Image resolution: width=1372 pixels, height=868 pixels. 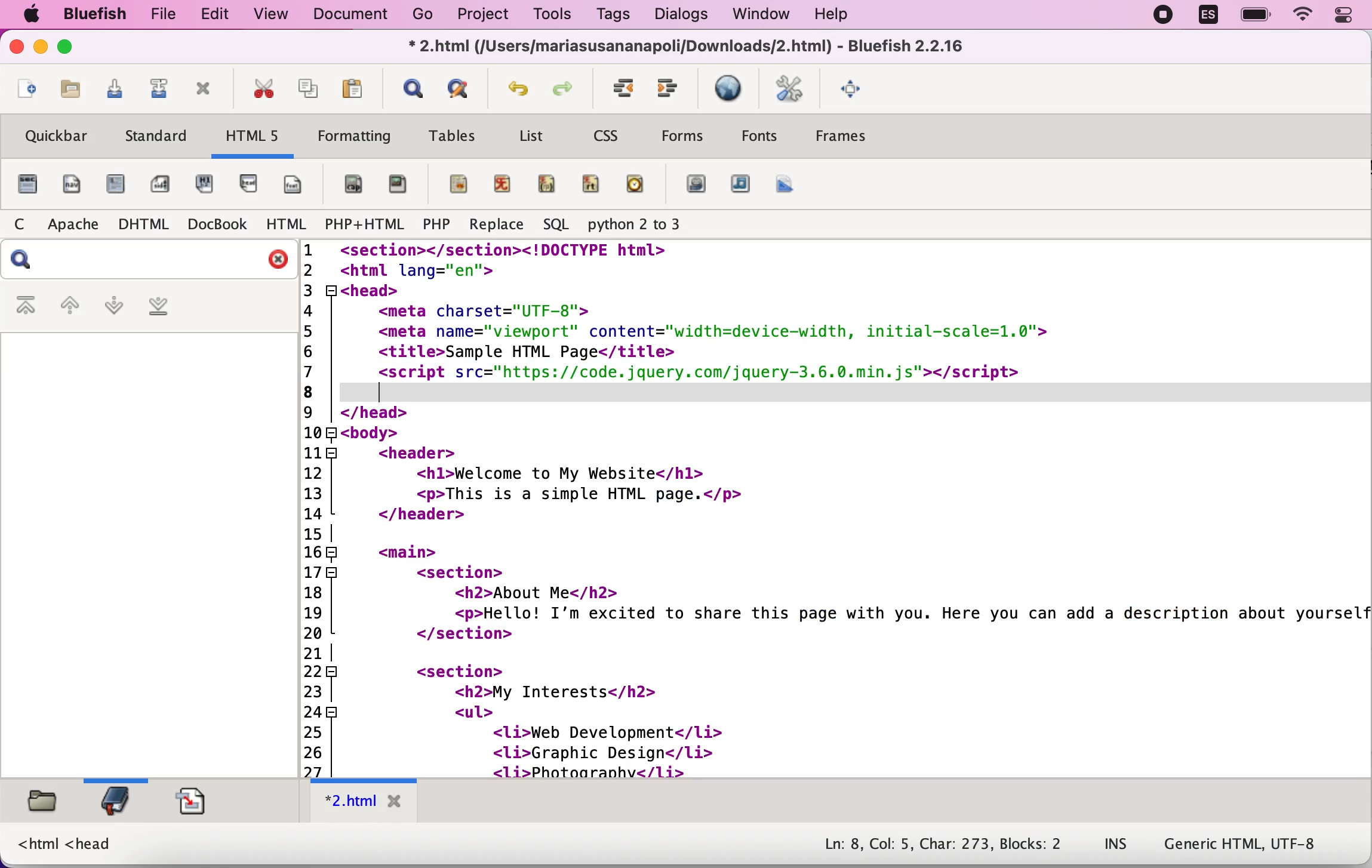 I want to click on video, so click(x=696, y=184).